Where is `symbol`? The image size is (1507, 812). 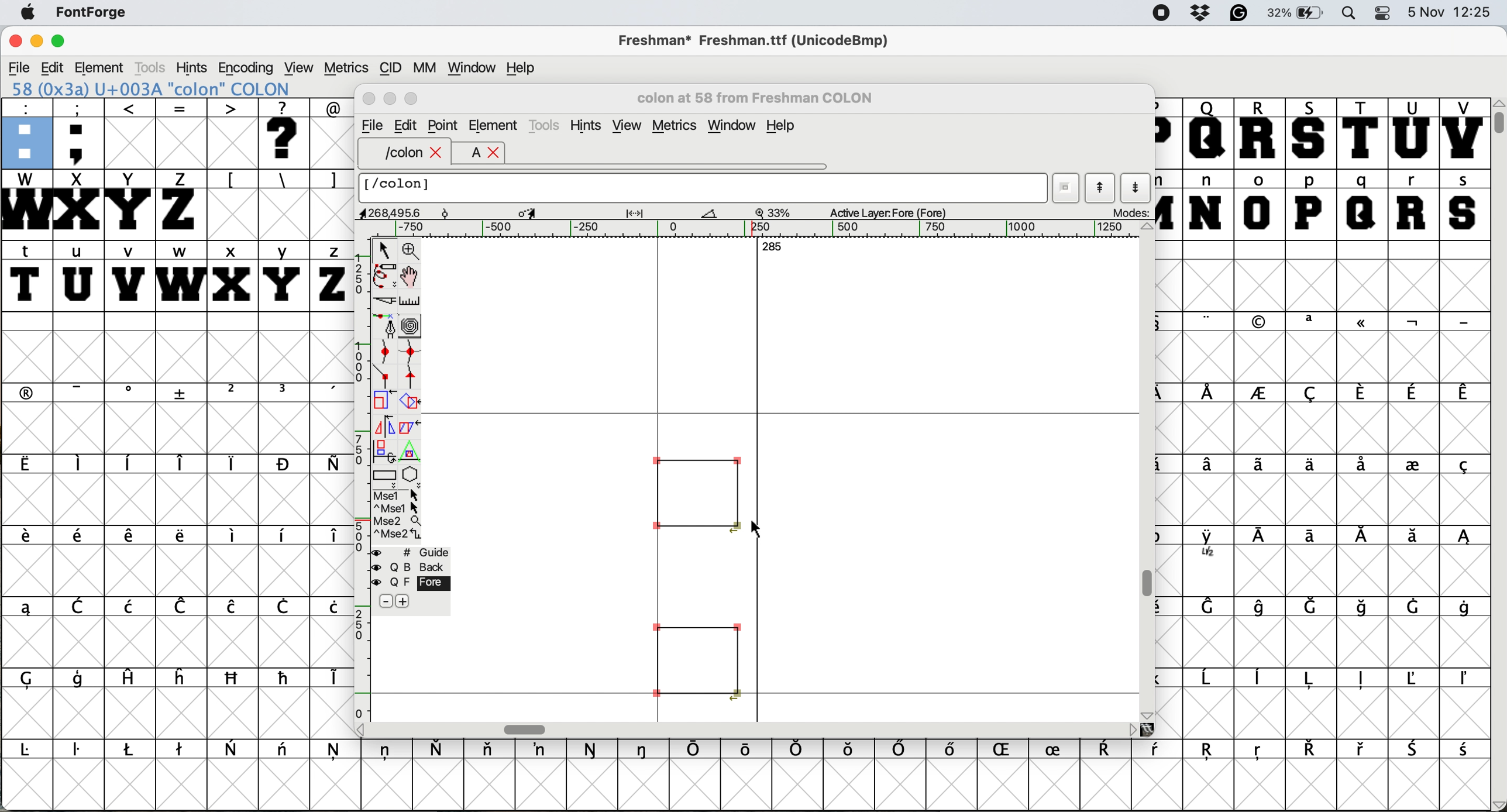
symbol is located at coordinates (133, 537).